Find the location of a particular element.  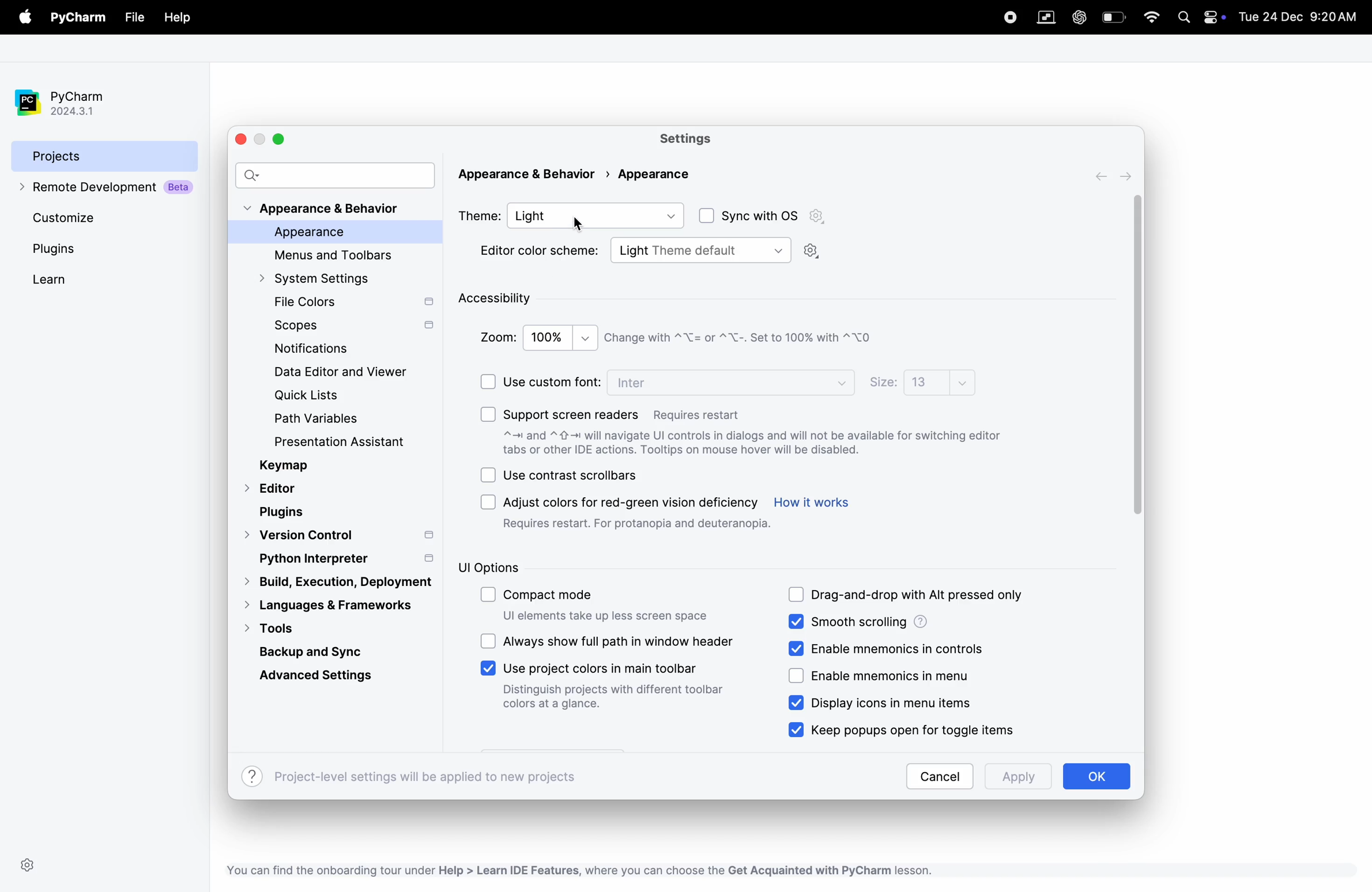

system settings is located at coordinates (325, 278).